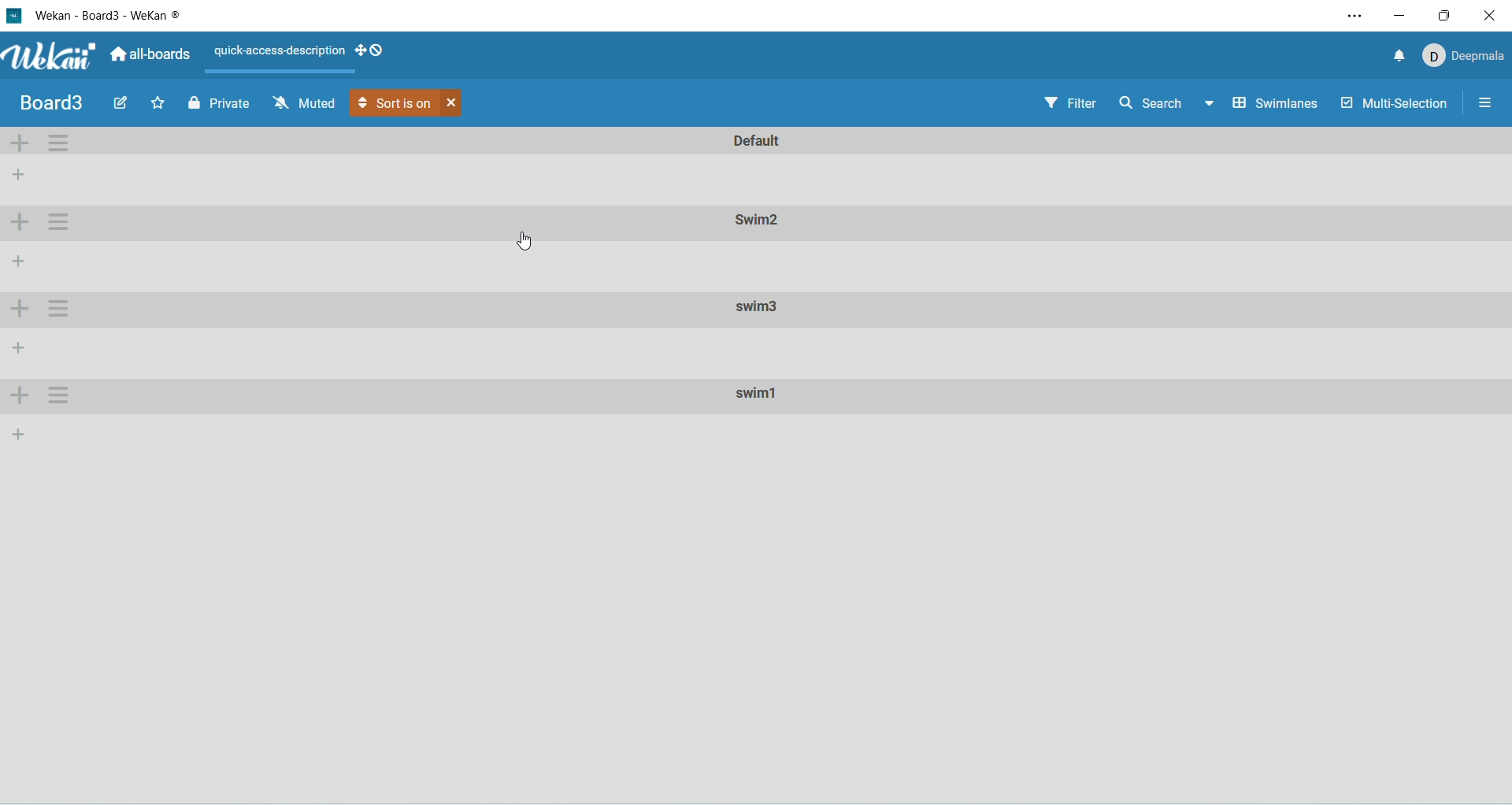 The height and width of the screenshot is (805, 1512). Describe the element at coordinates (762, 397) in the screenshot. I see `swim1` at that location.